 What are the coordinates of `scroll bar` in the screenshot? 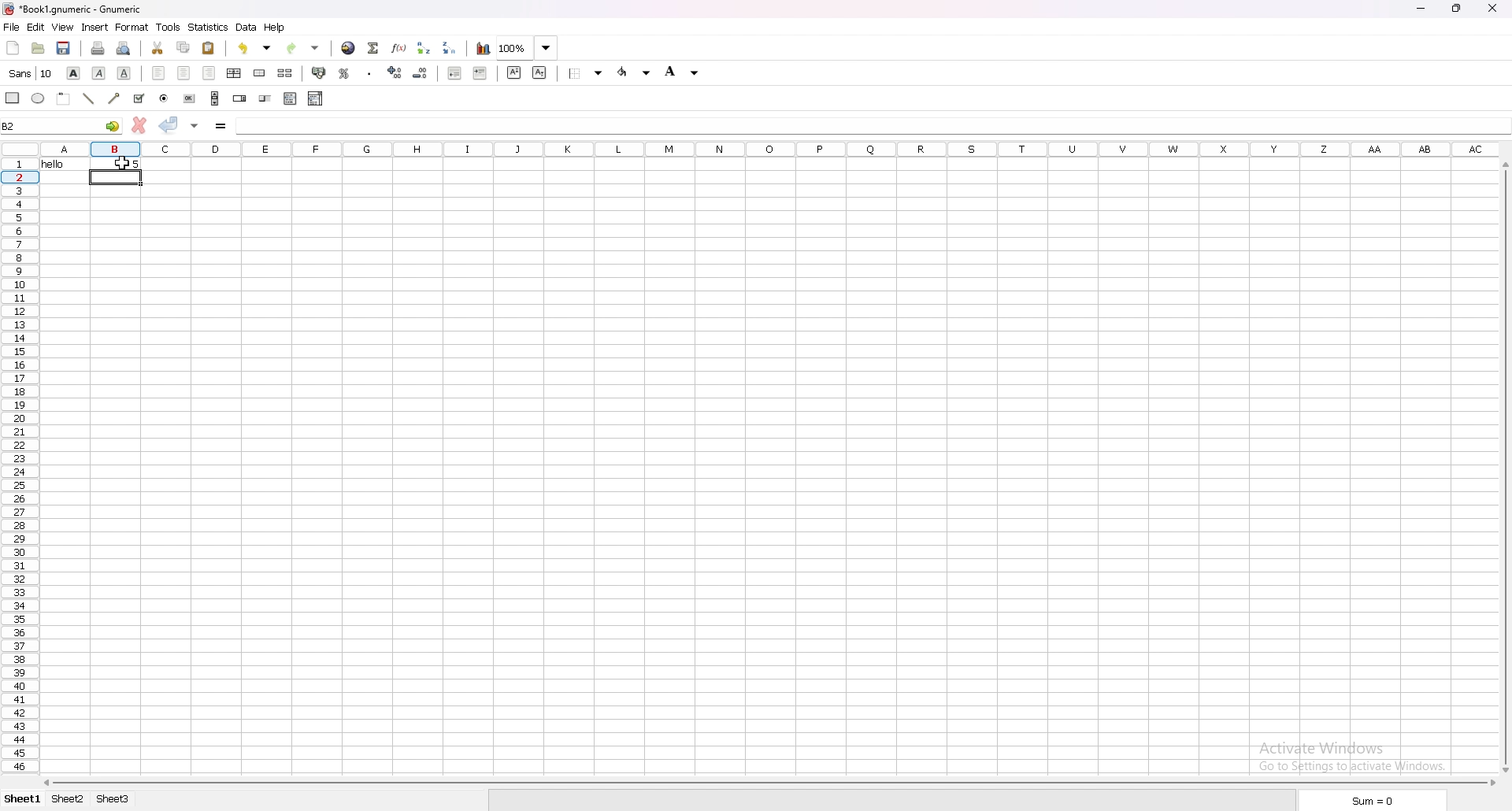 It's located at (771, 783).